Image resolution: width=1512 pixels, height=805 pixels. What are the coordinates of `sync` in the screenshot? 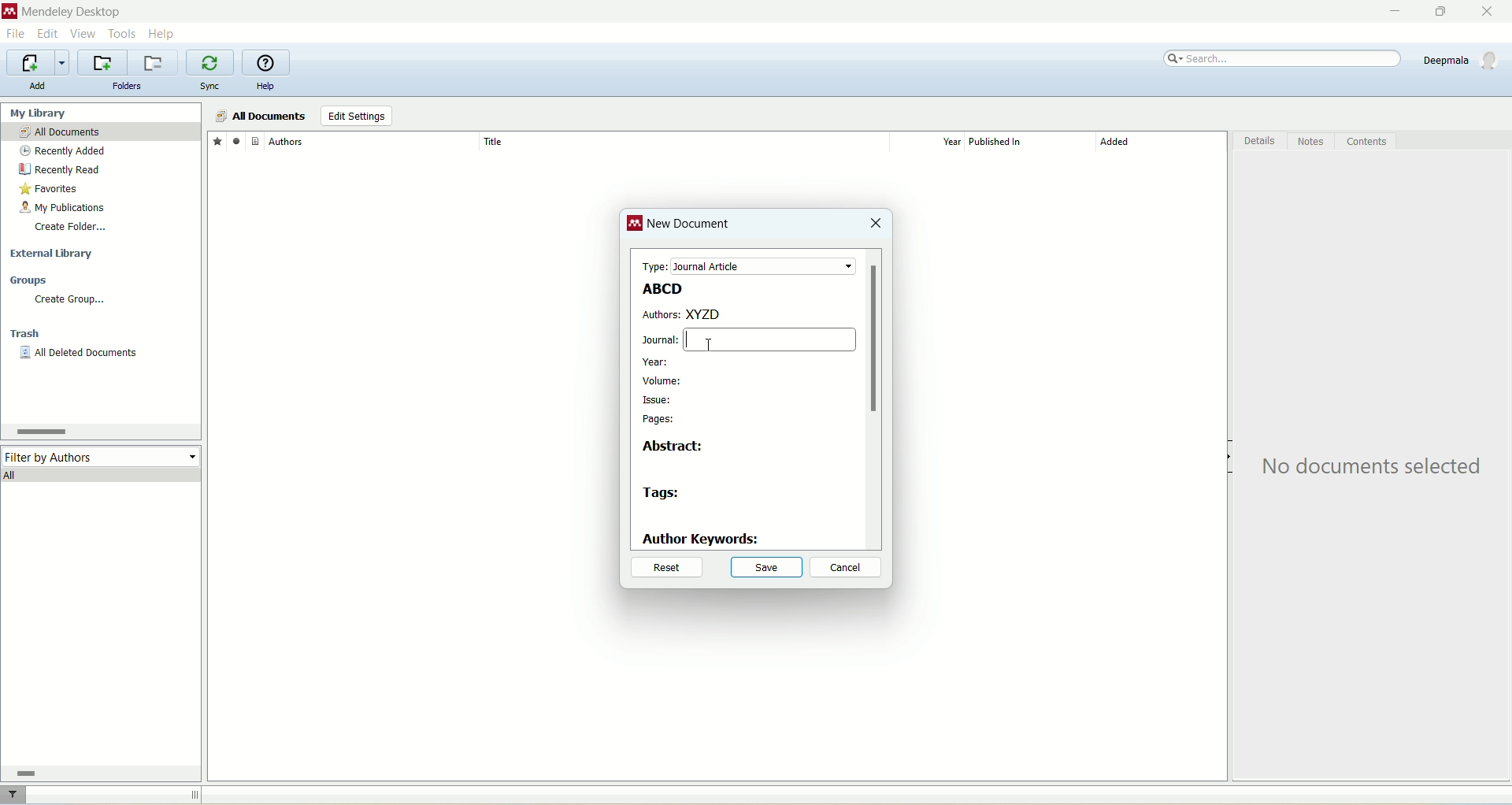 It's located at (212, 87).